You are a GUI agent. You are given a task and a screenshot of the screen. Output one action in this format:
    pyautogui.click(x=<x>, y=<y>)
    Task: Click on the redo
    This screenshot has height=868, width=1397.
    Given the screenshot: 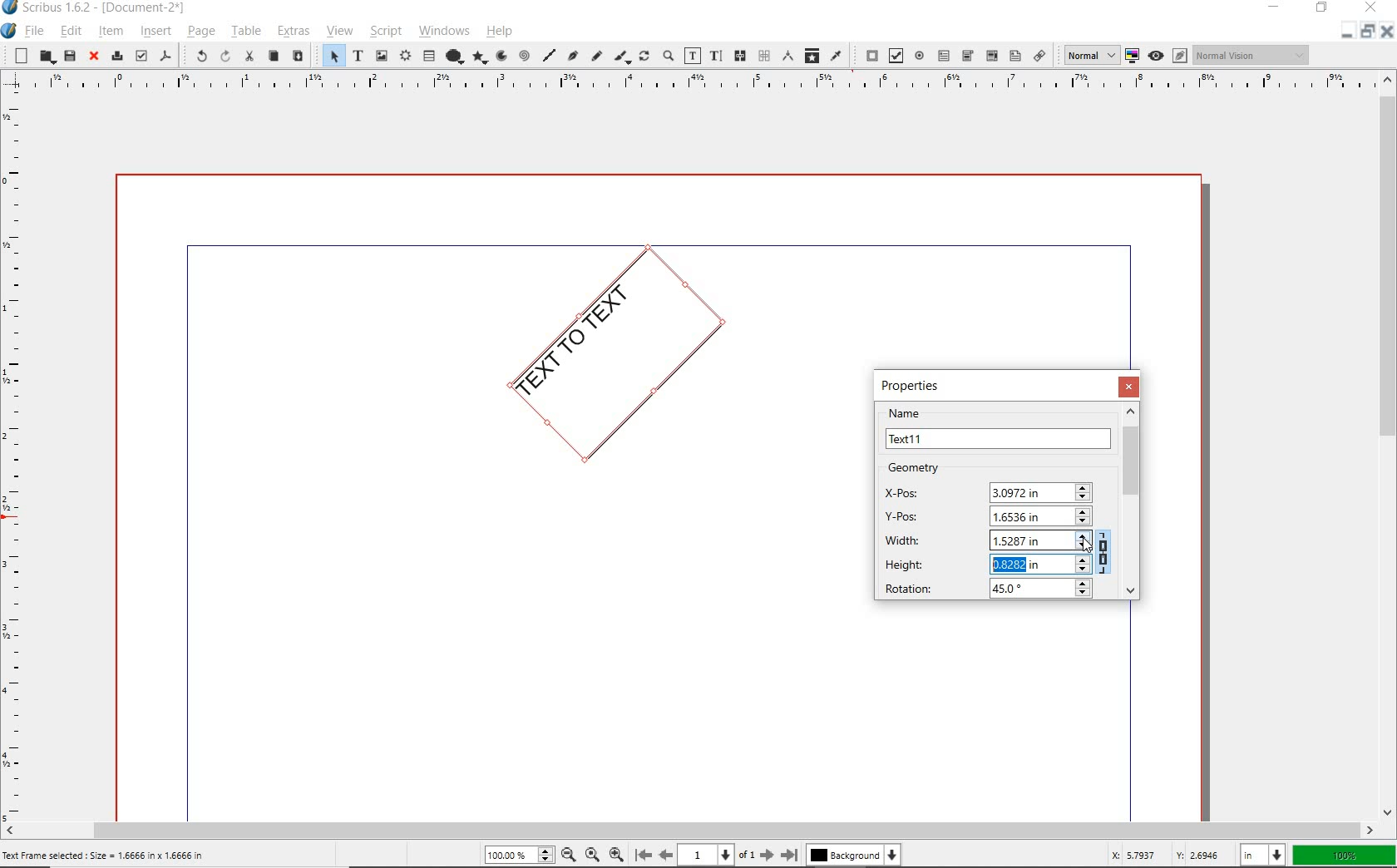 What is the action you would take?
    pyautogui.click(x=224, y=57)
    